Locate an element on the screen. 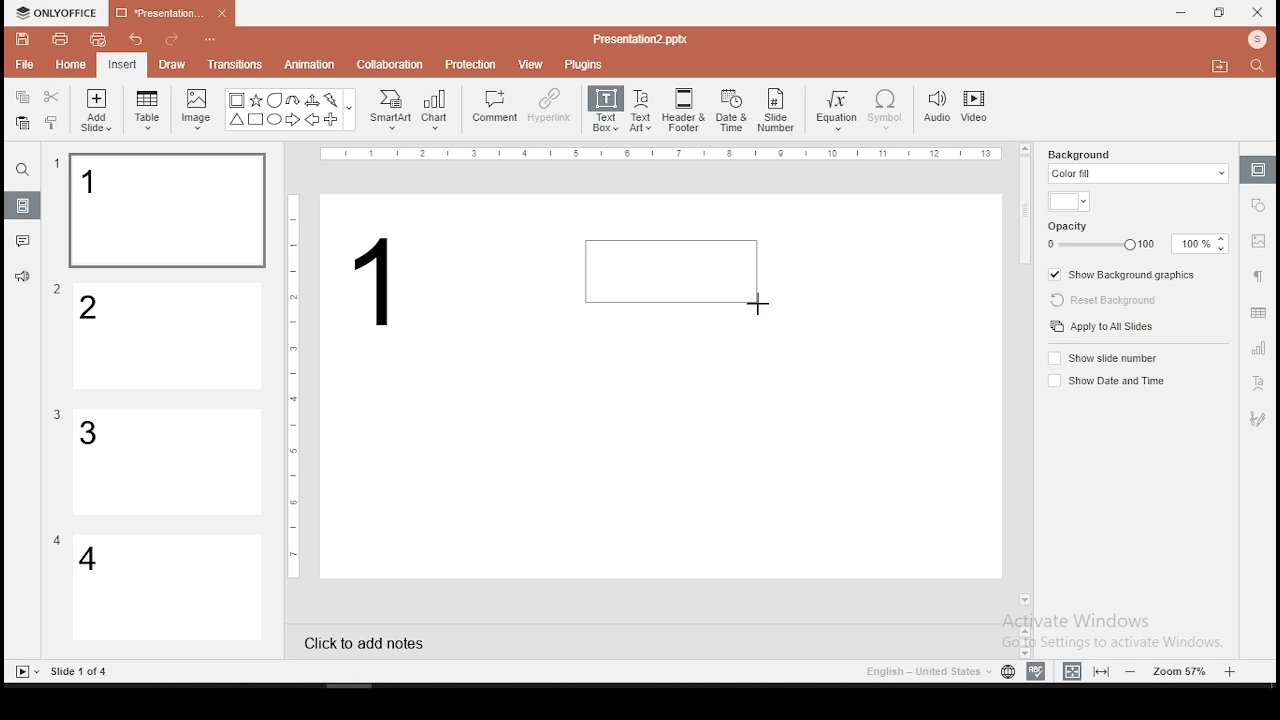 The image size is (1280, 720). Cursor is located at coordinates (760, 302).